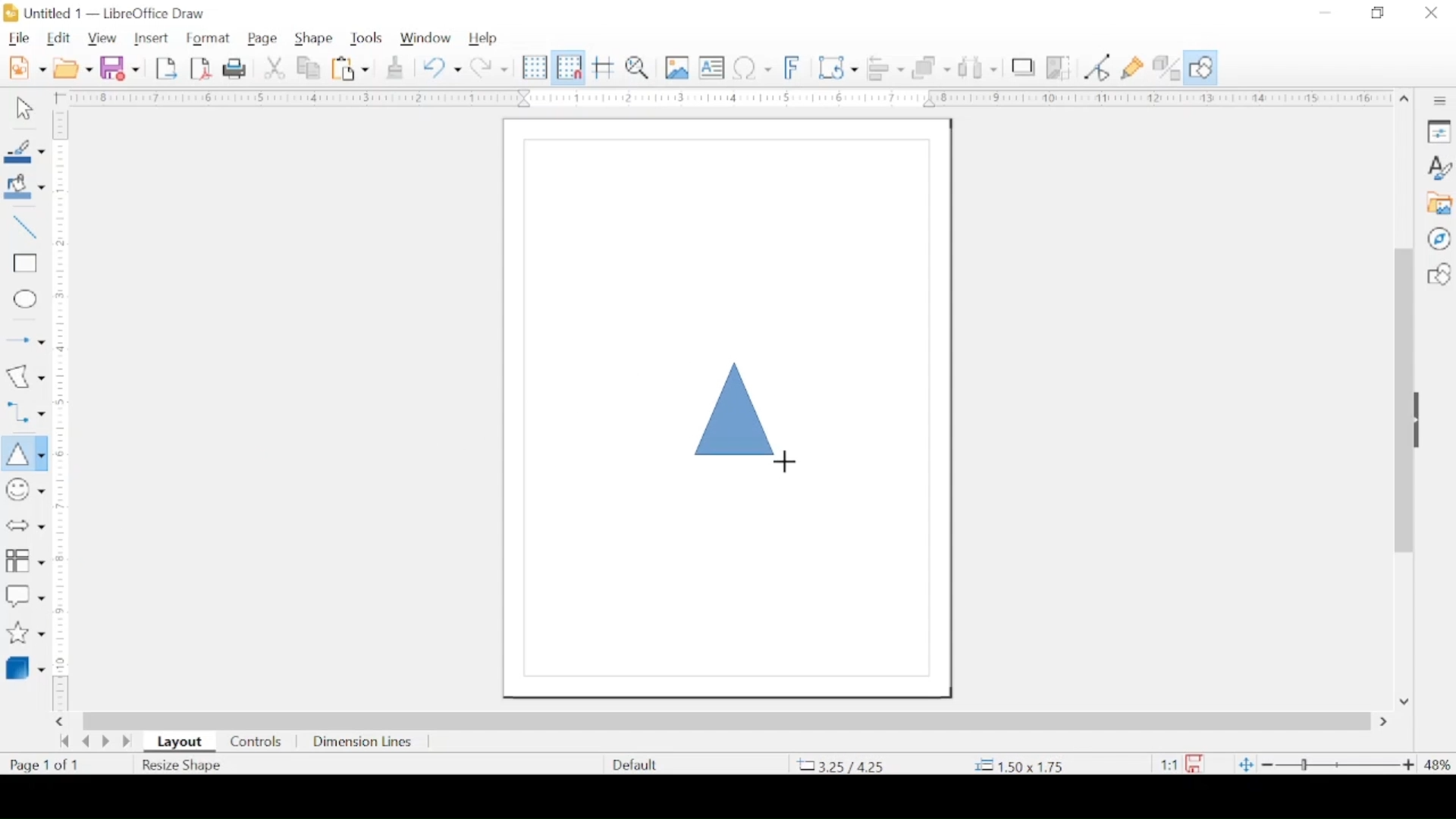 The image size is (1456, 819). Describe the element at coordinates (1432, 13) in the screenshot. I see `close` at that location.